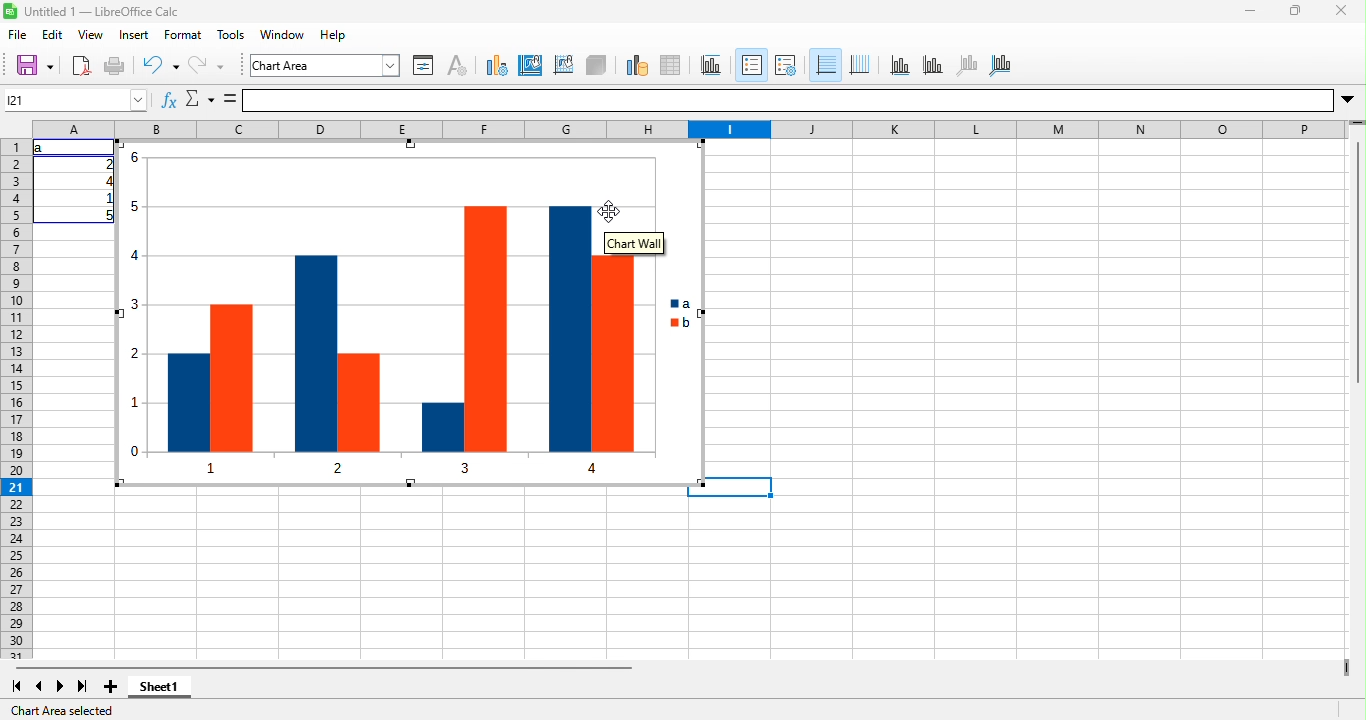  Describe the element at coordinates (159, 686) in the screenshot. I see `sheet1` at that location.